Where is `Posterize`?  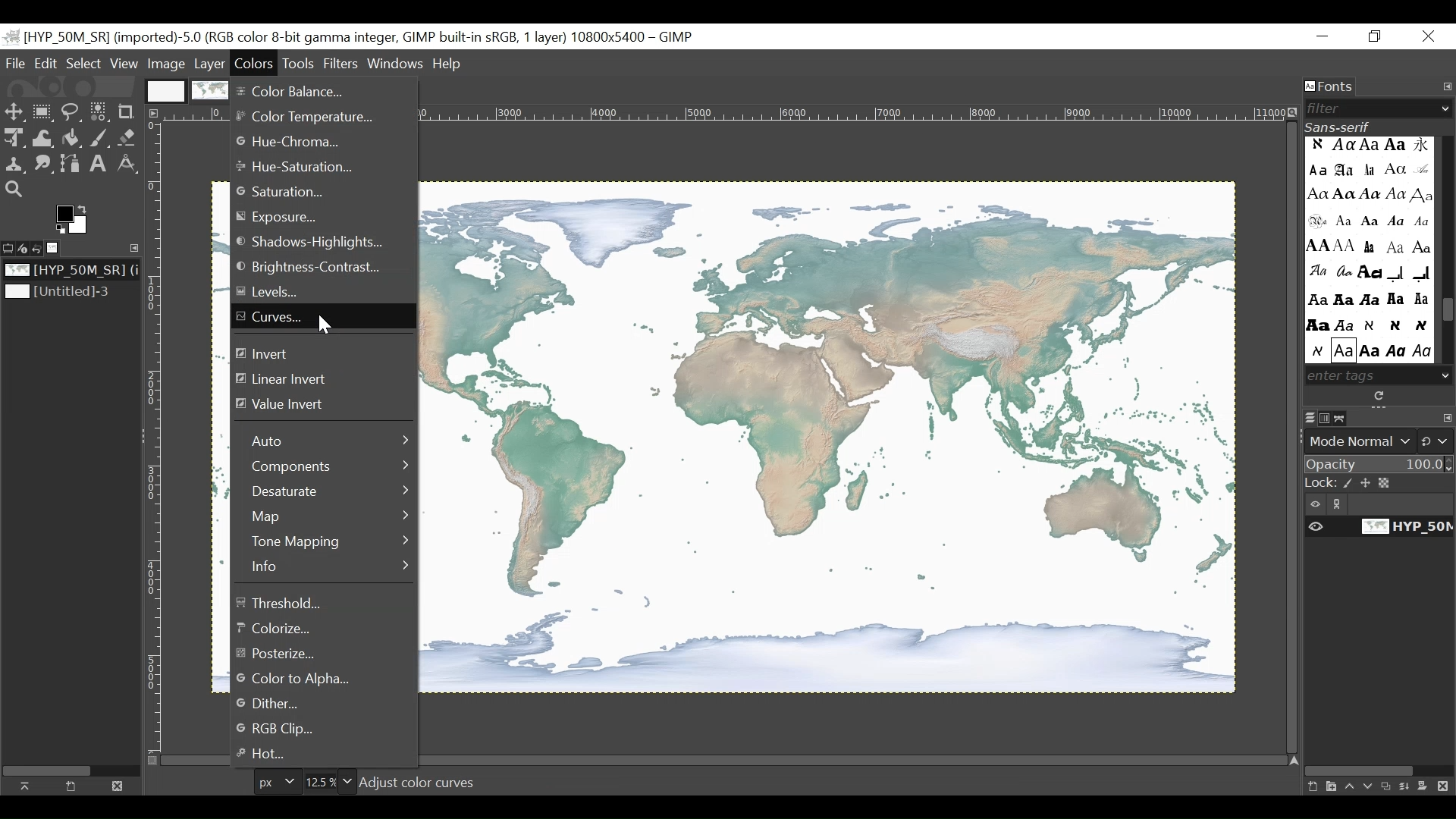 Posterize is located at coordinates (284, 656).